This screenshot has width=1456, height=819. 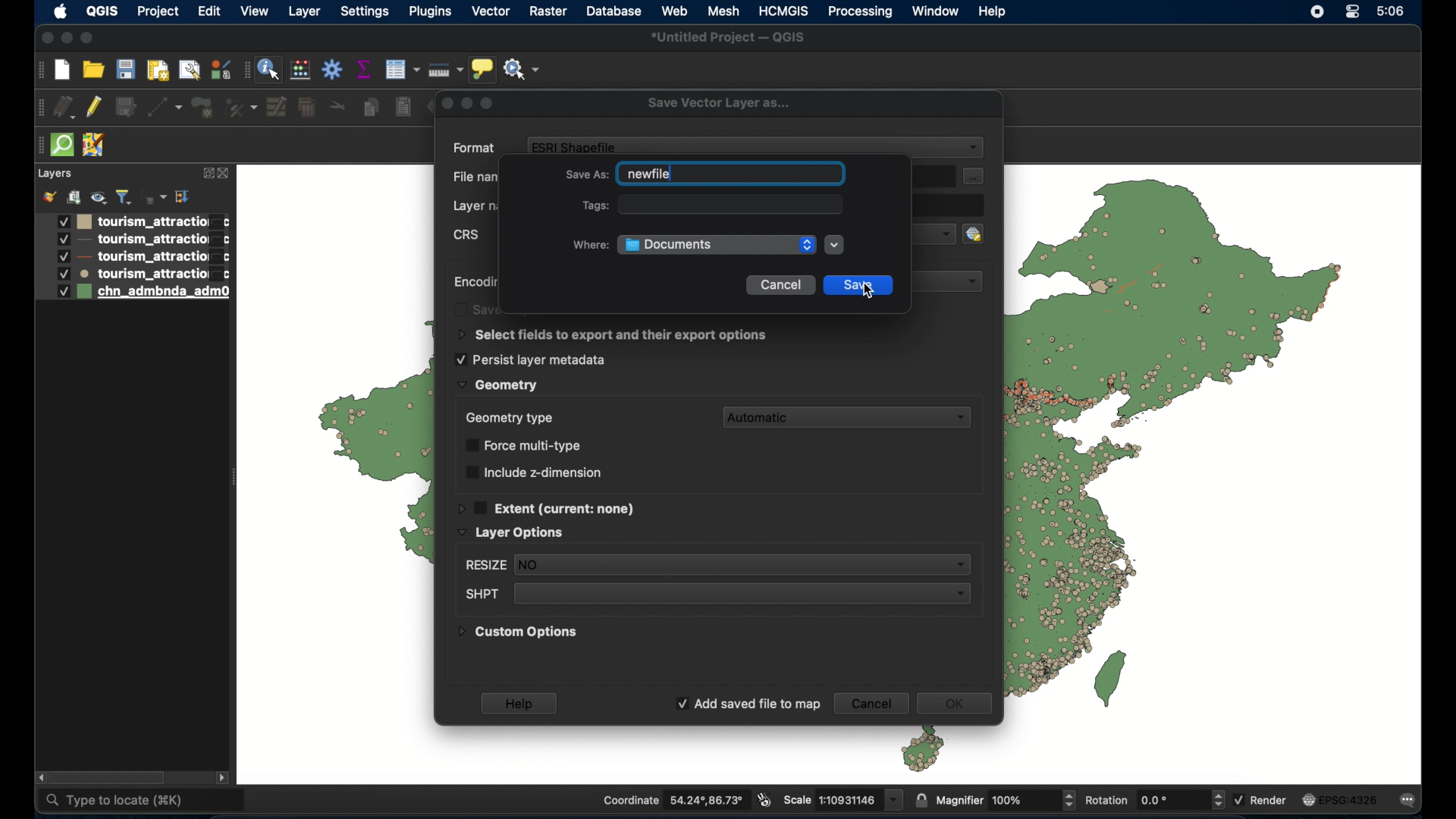 What do you see at coordinates (548, 507) in the screenshot?
I see `extent` at bounding box center [548, 507].